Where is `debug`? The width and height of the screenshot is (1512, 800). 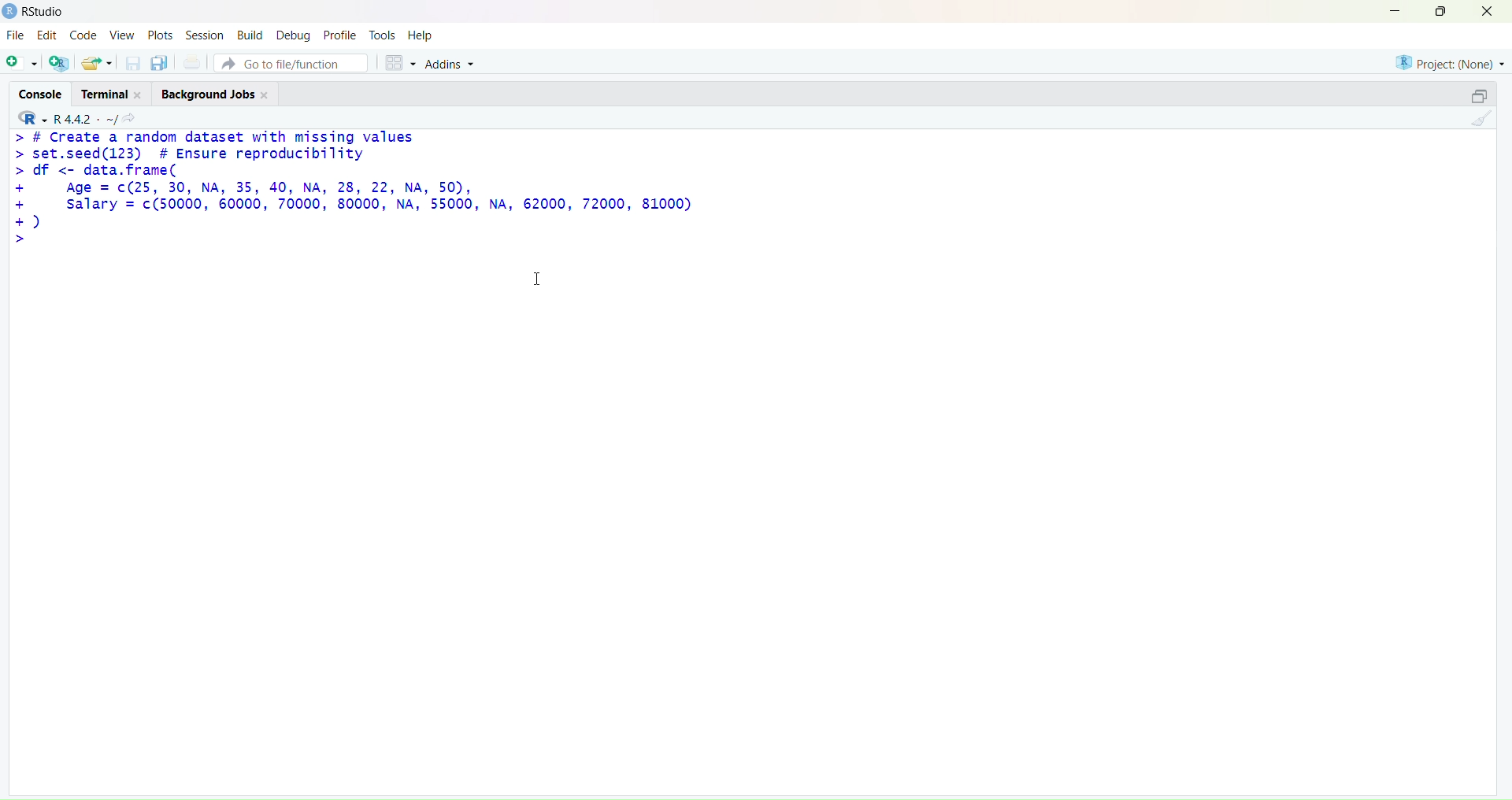 debug is located at coordinates (291, 36).